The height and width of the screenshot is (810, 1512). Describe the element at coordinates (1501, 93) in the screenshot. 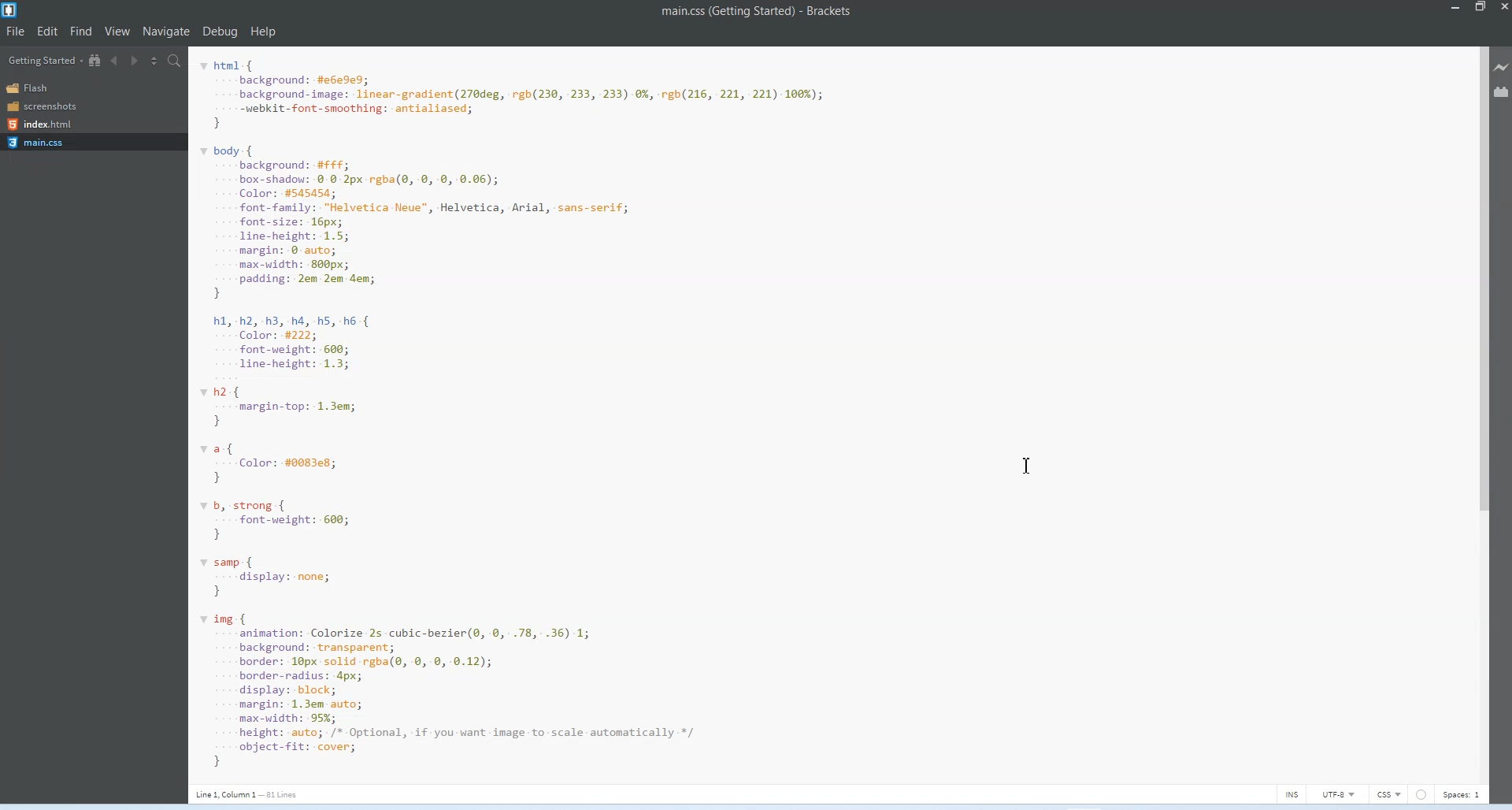

I see `Extension Manager` at that location.